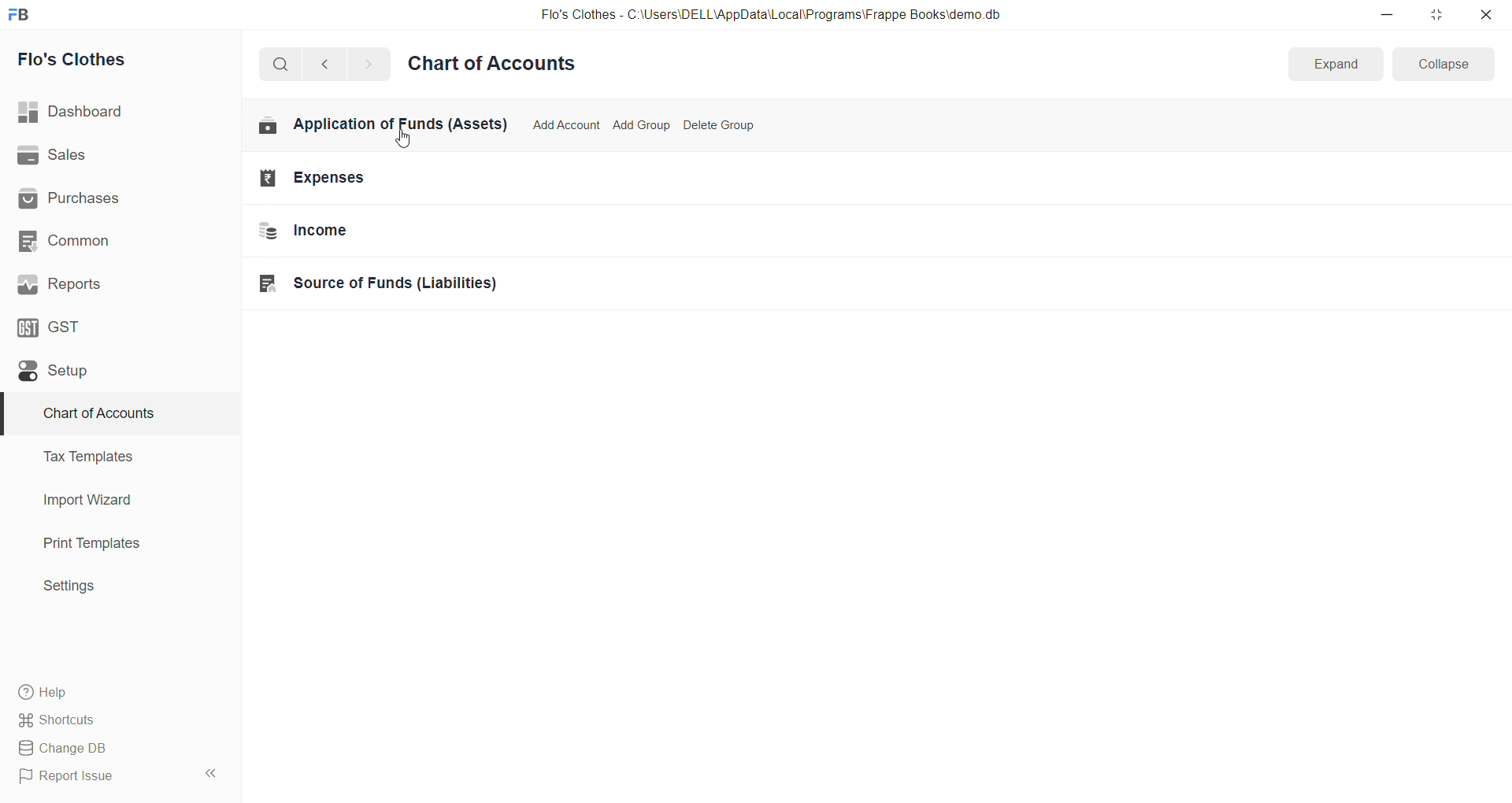  Describe the element at coordinates (283, 63) in the screenshot. I see `search` at that location.